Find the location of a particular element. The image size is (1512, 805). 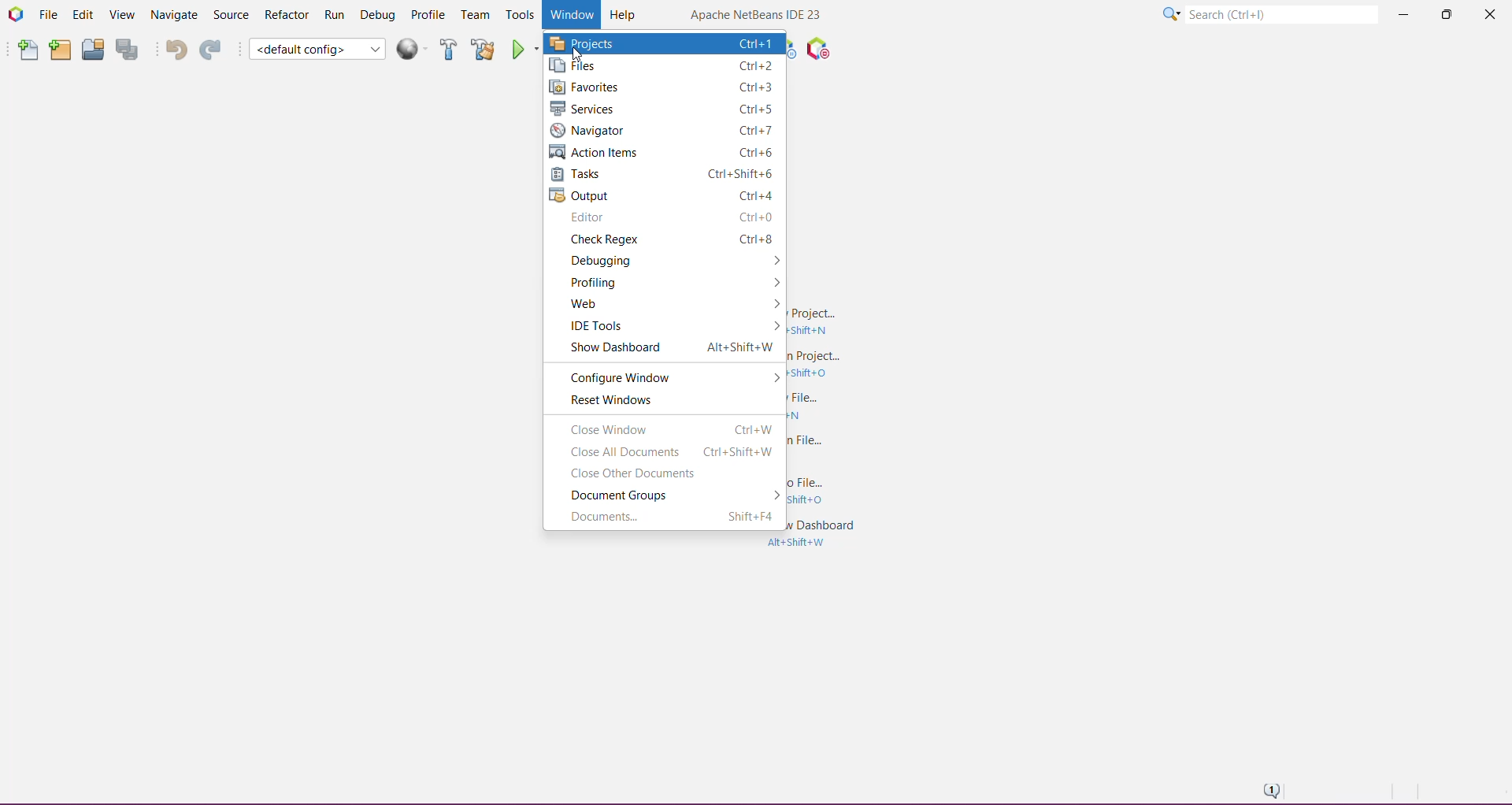

More Options is located at coordinates (771, 327).